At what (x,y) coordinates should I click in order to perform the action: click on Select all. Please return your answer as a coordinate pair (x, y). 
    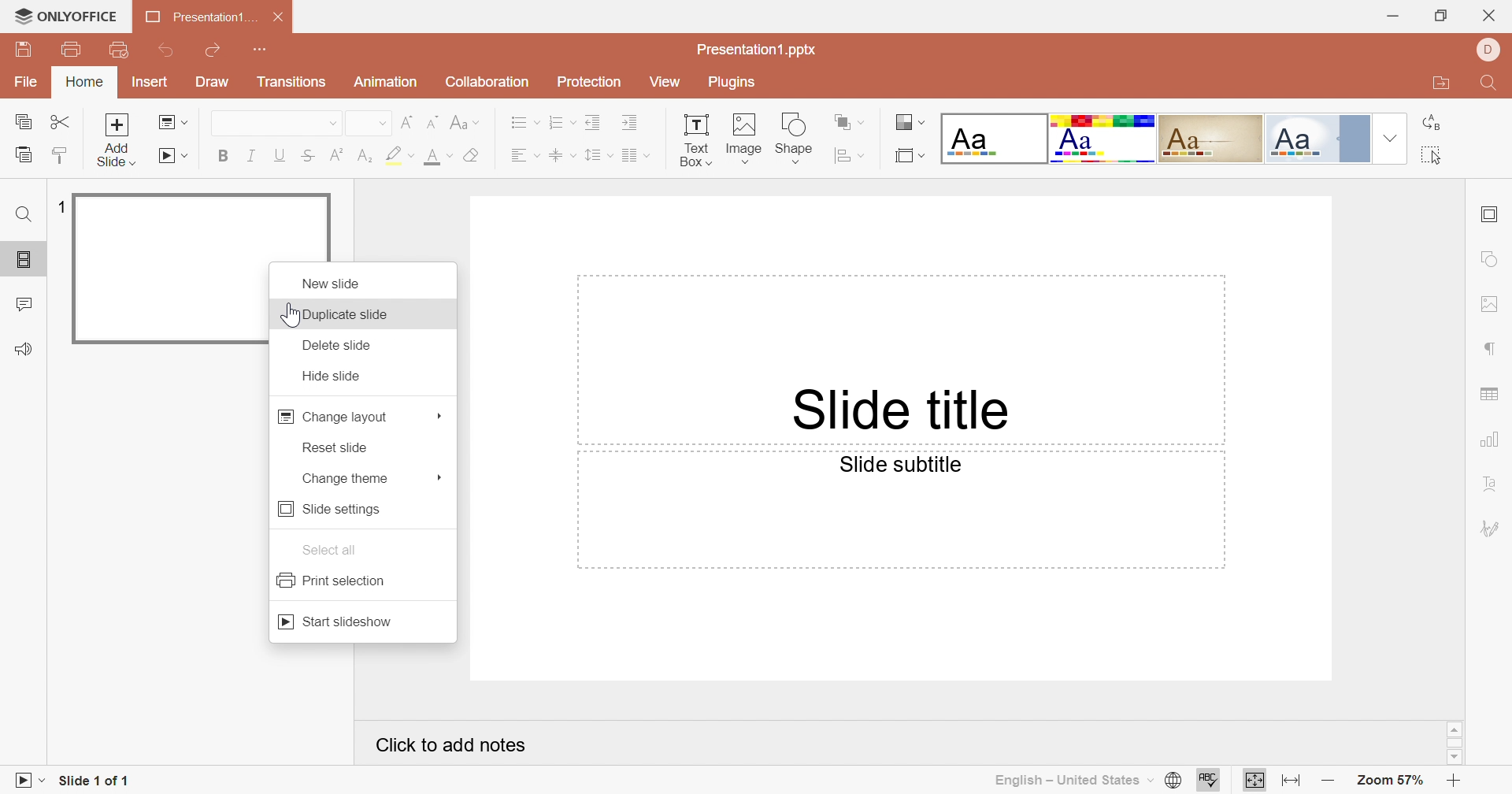
    Looking at the image, I should click on (1432, 157).